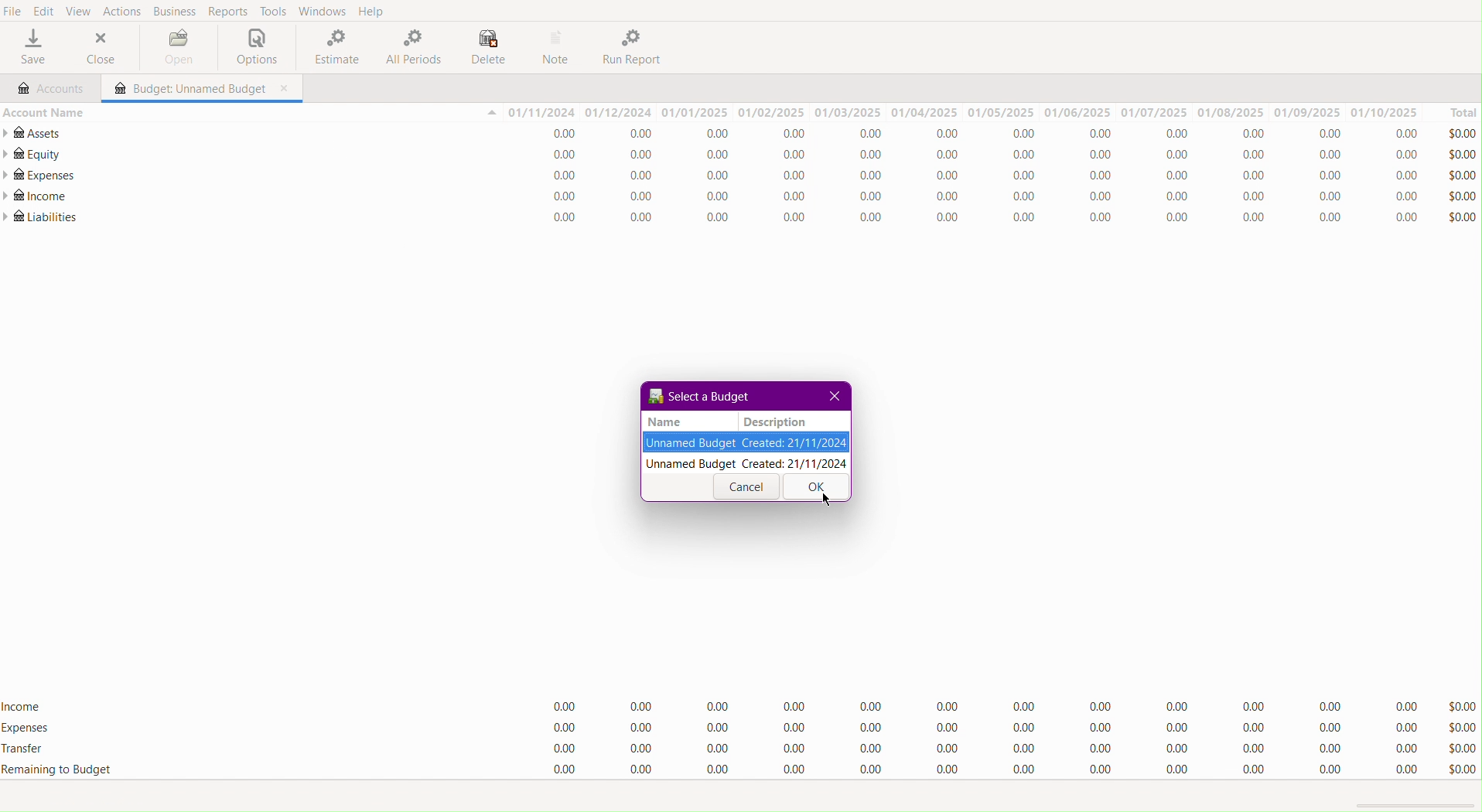 Image resolution: width=1482 pixels, height=812 pixels. Describe the element at coordinates (1455, 111) in the screenshot. I see `Total` at that location.